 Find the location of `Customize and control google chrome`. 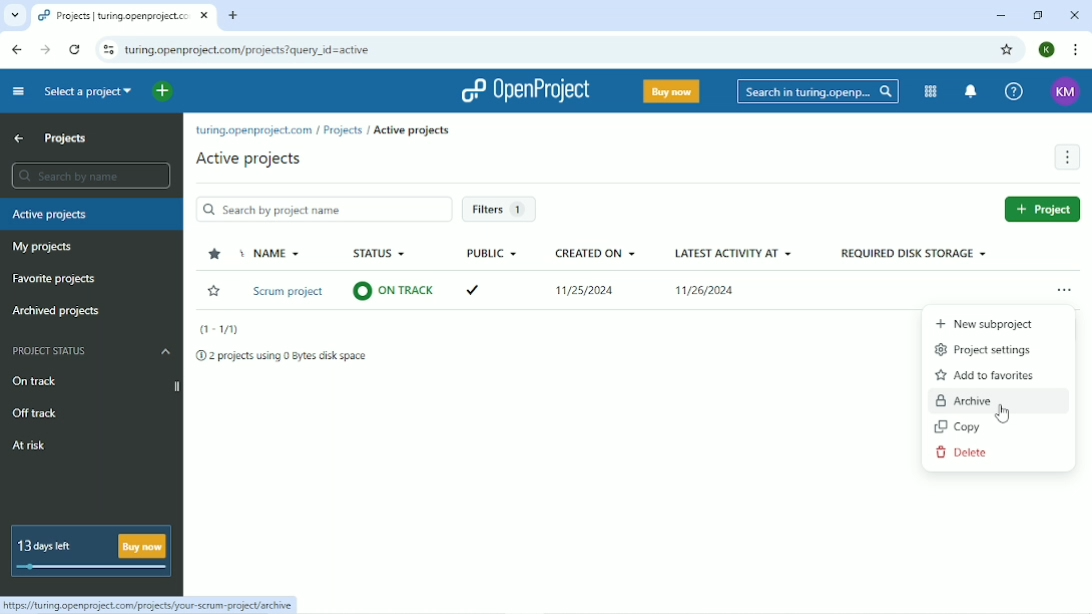

Customize and control google chrome is located at coordinates (1072, 50).